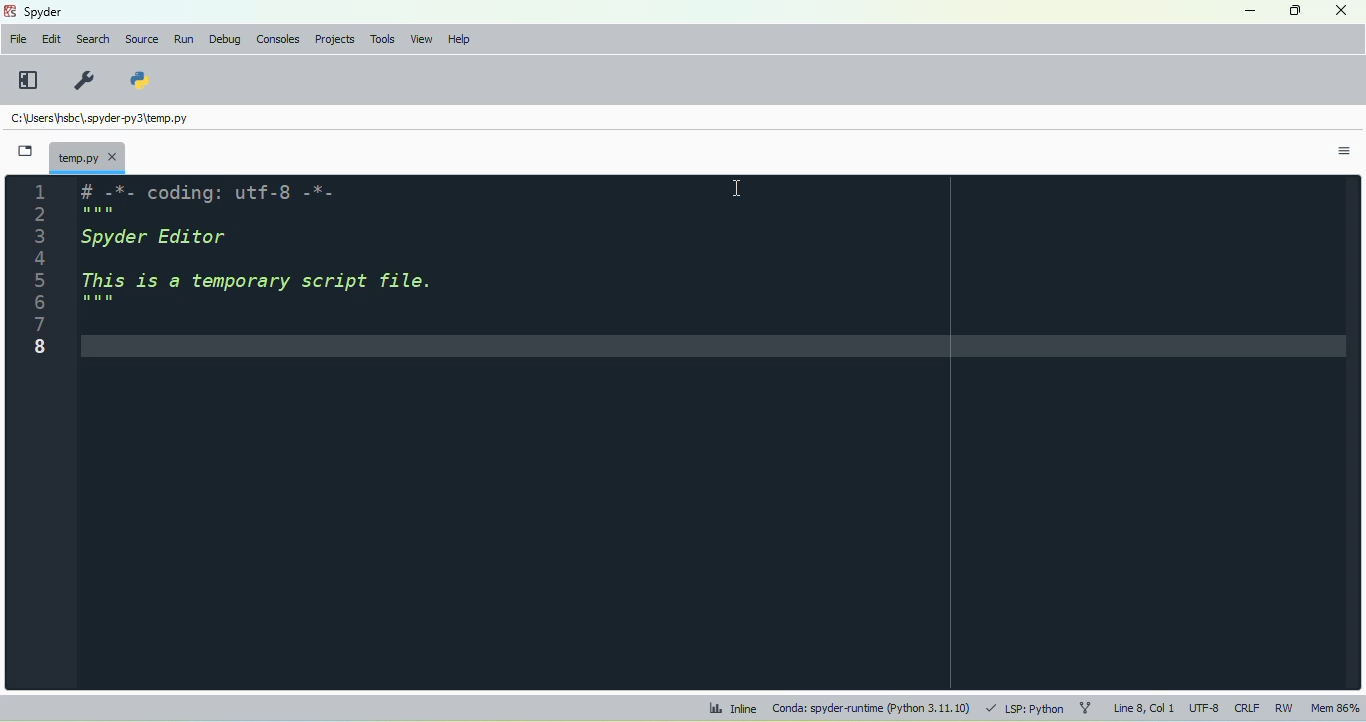 The height and width of the screenshot is (722, 1366). Describe the element at coordinates (87, 156) in the screenshot. I see `temporary file` at that location.